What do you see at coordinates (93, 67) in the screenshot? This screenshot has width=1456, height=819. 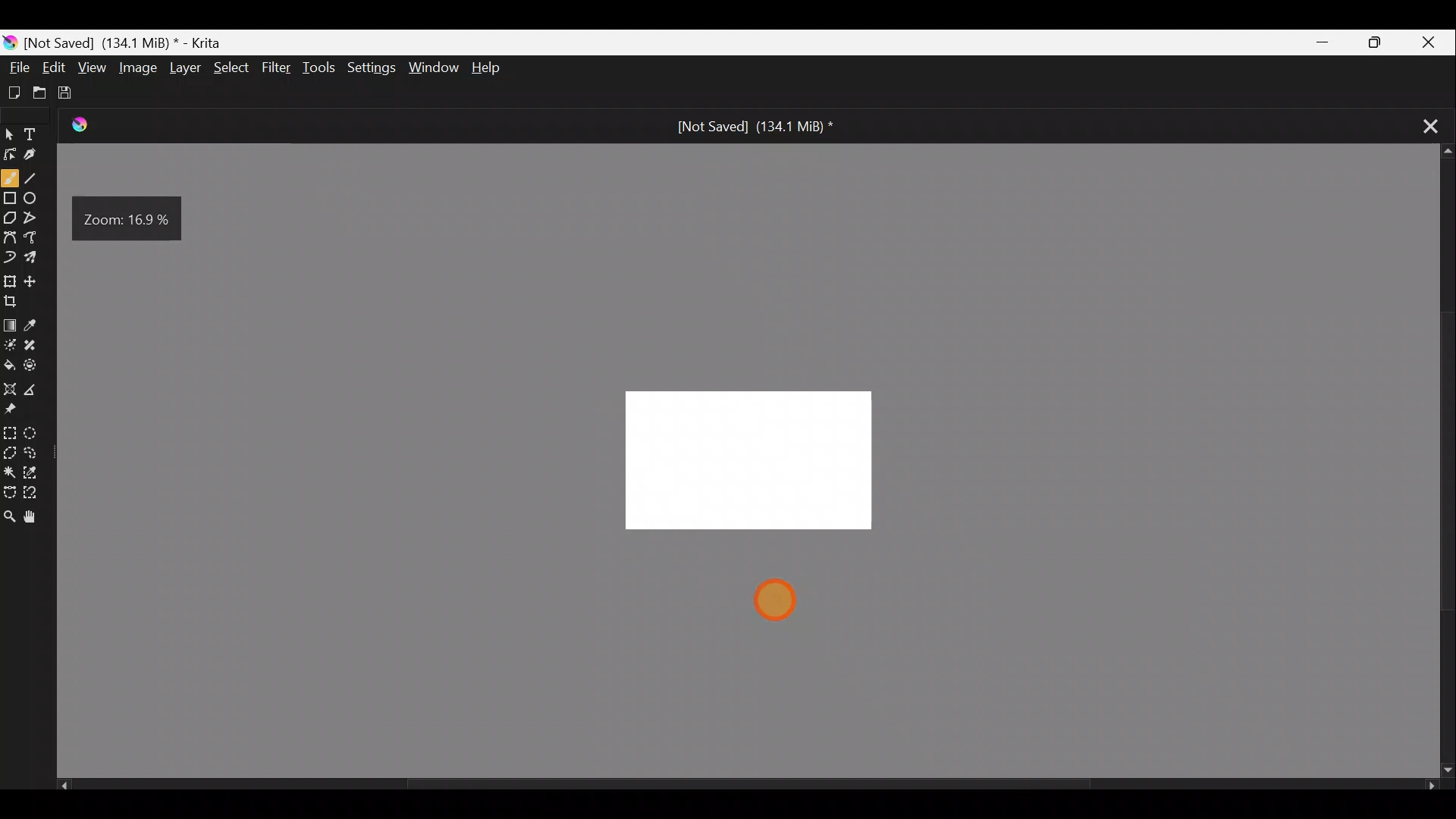 I see `View` at bounding box center [93, 67].